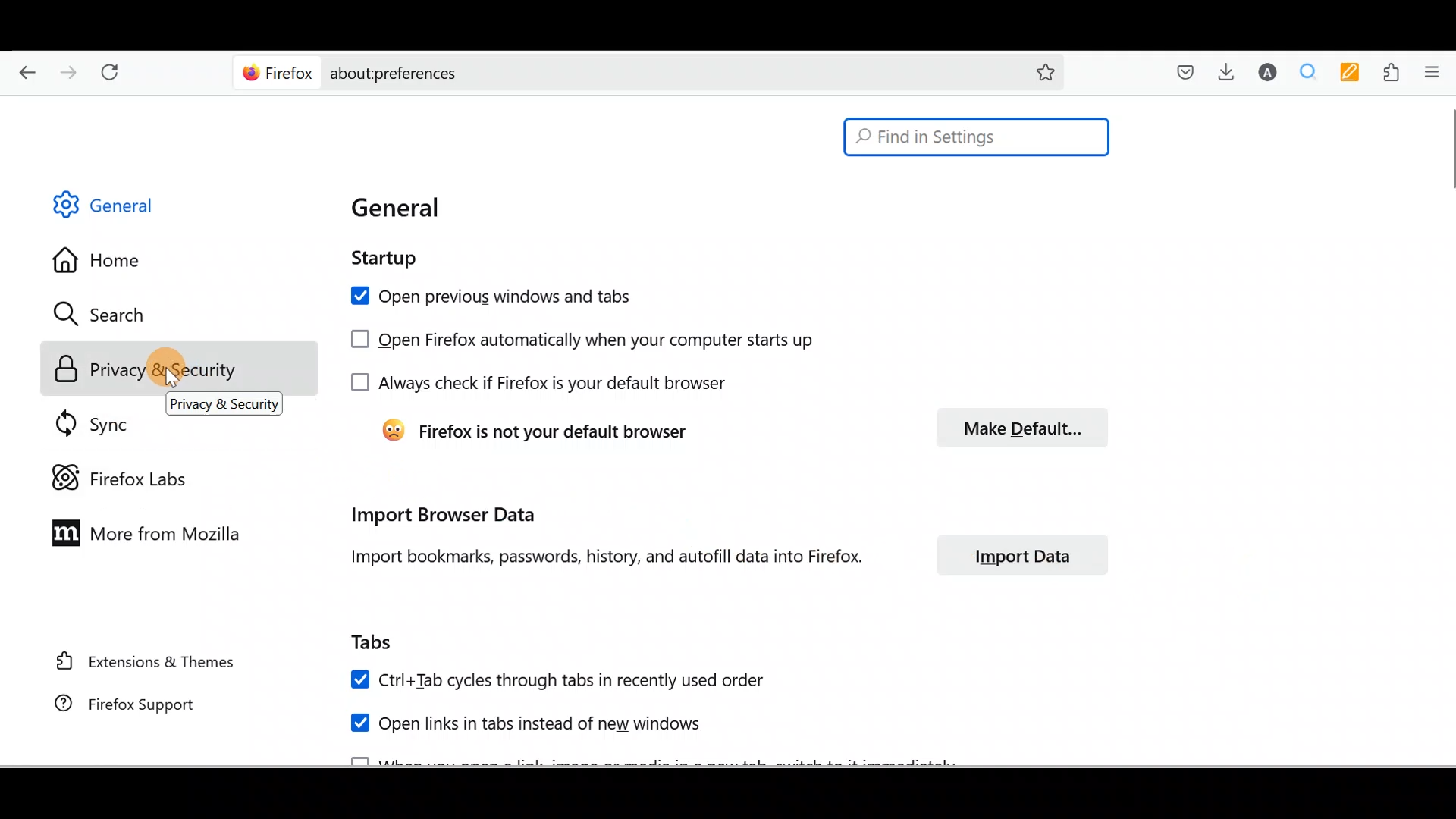 The image size is (1456, 819). Describe the element at coordinates (548, 431) in the screenshot. I see `Firefox is not your default browser` at that location.